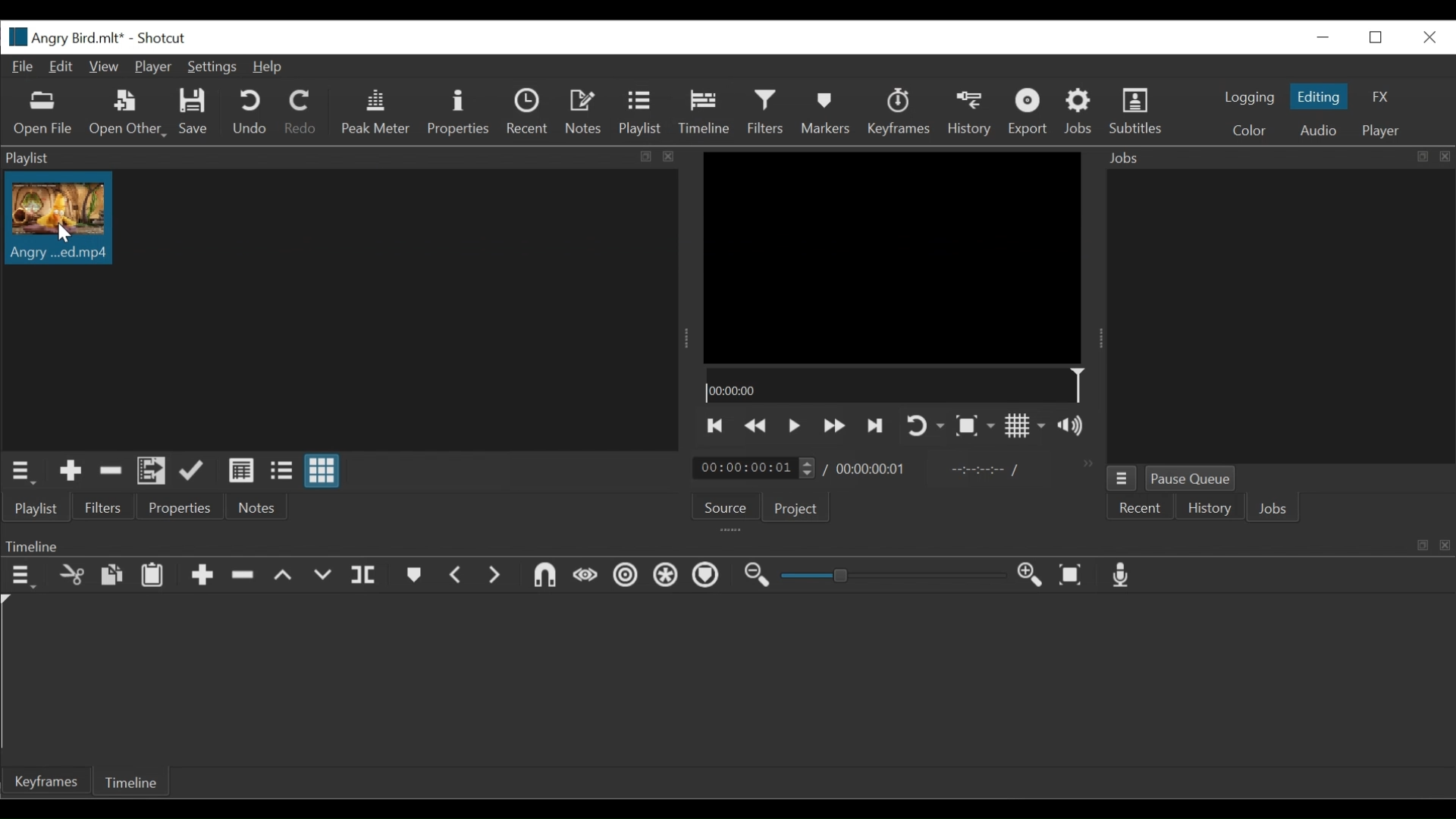  What do you see at coordinates (1378, 36) in the screenshot?
I see `Restore` at bounding box center [1378, 36].